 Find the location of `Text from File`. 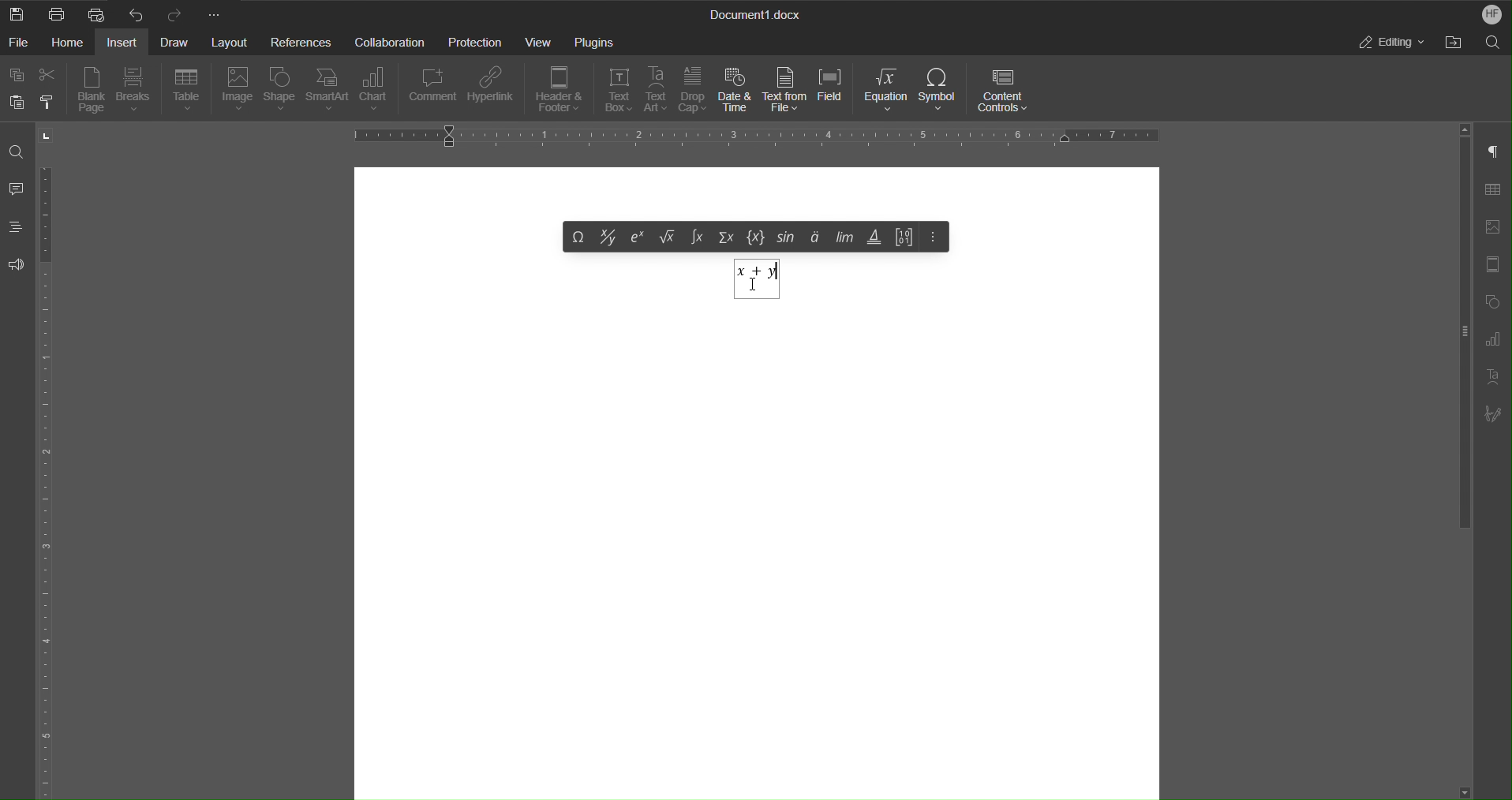

Text from File is located at coordinates (786, 90).